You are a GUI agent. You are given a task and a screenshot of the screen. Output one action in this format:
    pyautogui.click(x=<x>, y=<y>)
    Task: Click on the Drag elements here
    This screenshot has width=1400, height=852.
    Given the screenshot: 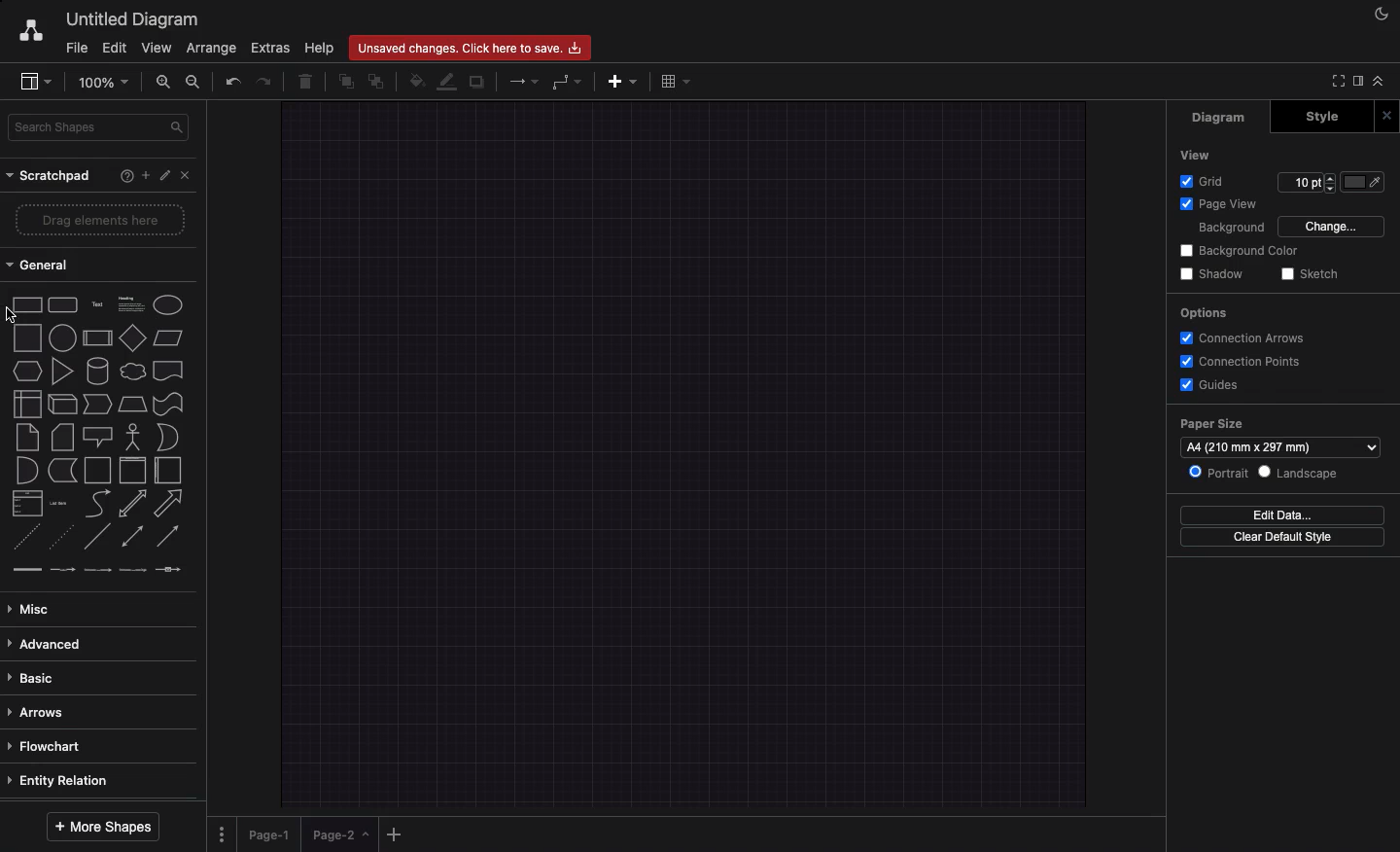 What is the action you would take?
    pyautogui.click(x=102, y=221)
    